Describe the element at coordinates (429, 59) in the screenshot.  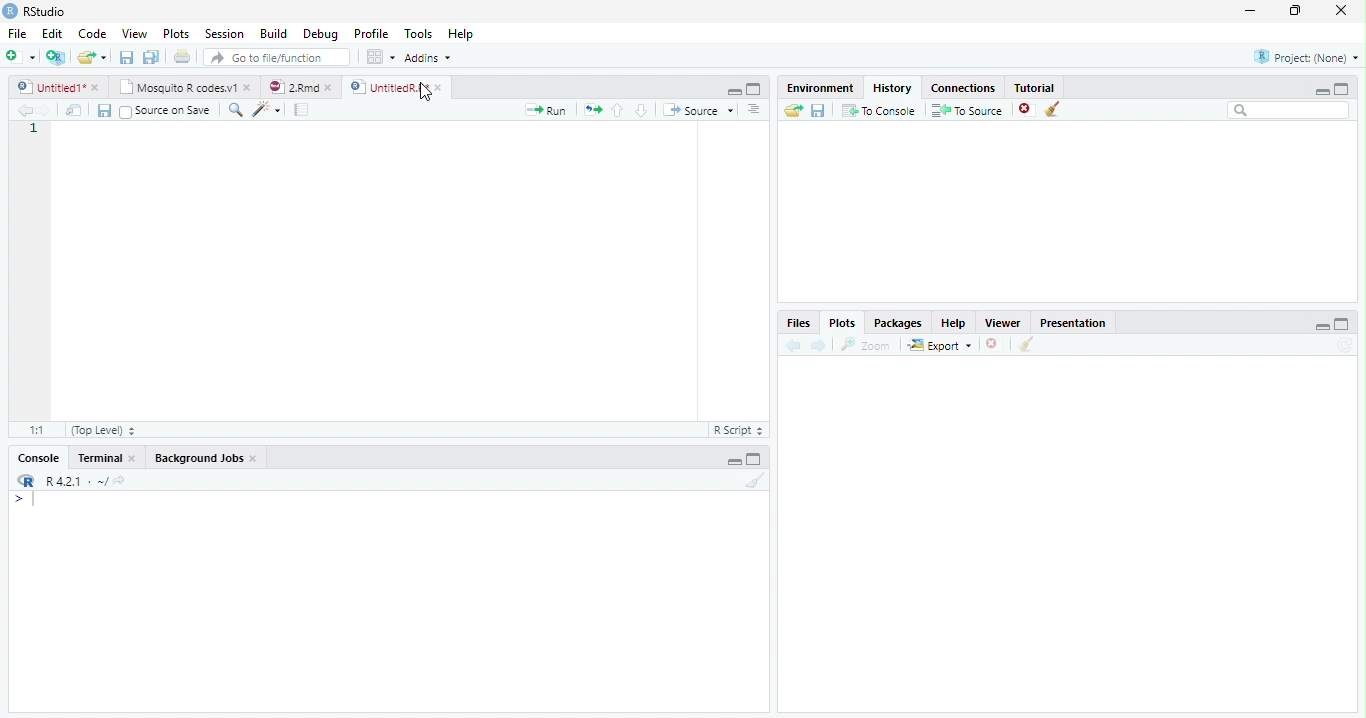
I see `Addins` at that location.